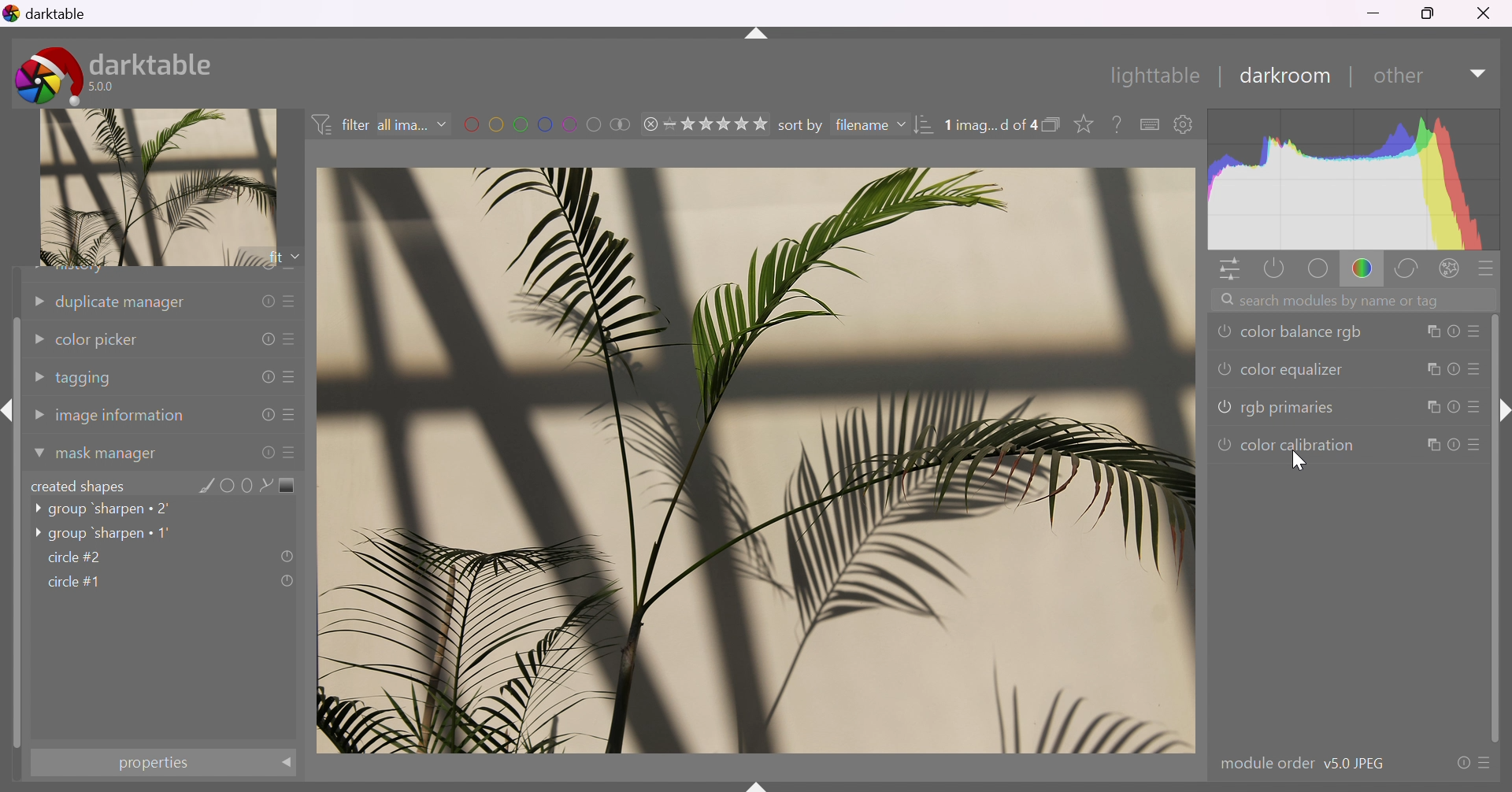 This screenshot has width=1512, height=792. What do you see at coordinates (171, 559) in the screenshot?
I see `circle#2` at bounding box center [171, 559].